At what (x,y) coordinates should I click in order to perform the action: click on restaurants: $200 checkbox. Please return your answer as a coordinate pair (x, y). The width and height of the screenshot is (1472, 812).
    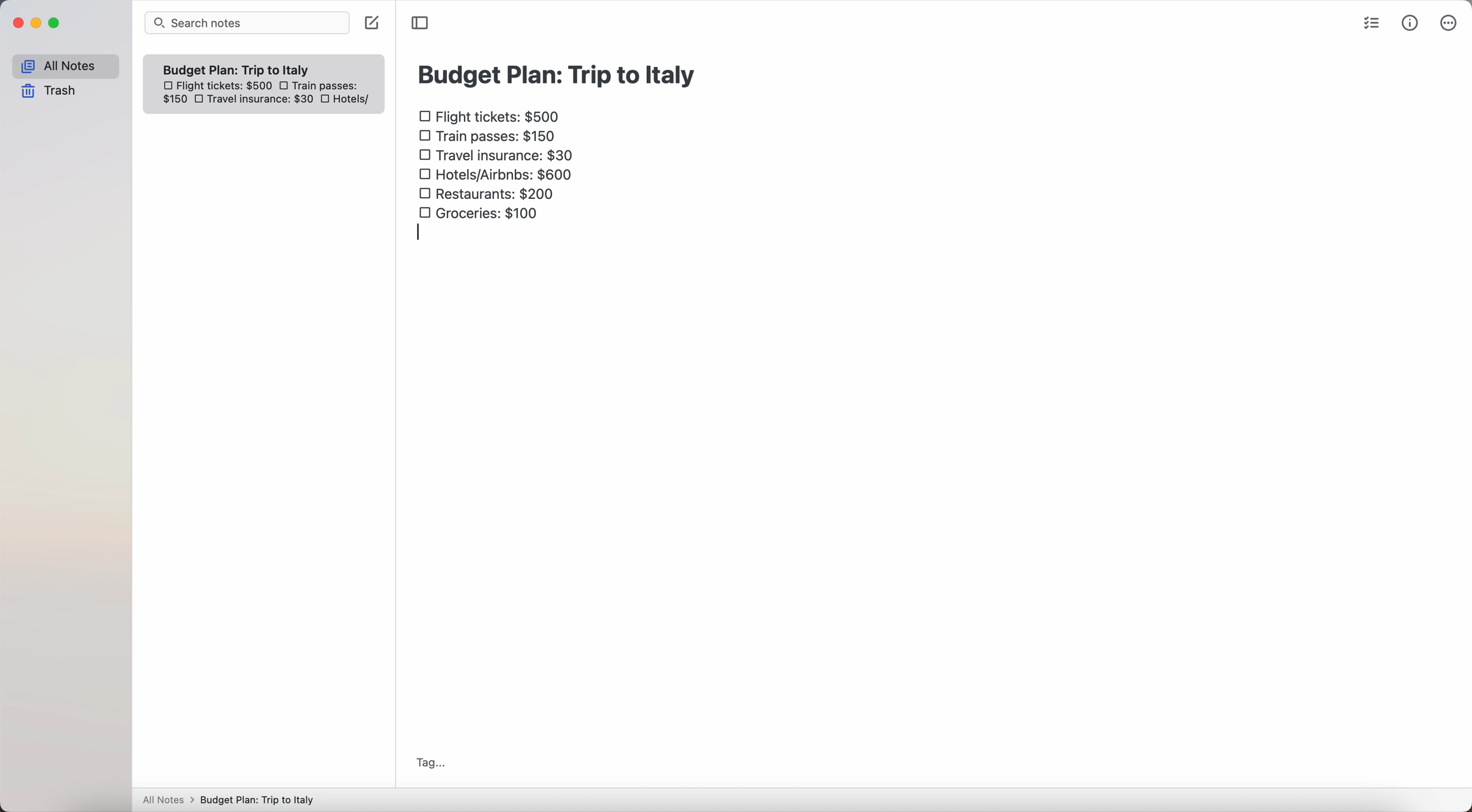
    Looking at the image, I should click on (487, 191).